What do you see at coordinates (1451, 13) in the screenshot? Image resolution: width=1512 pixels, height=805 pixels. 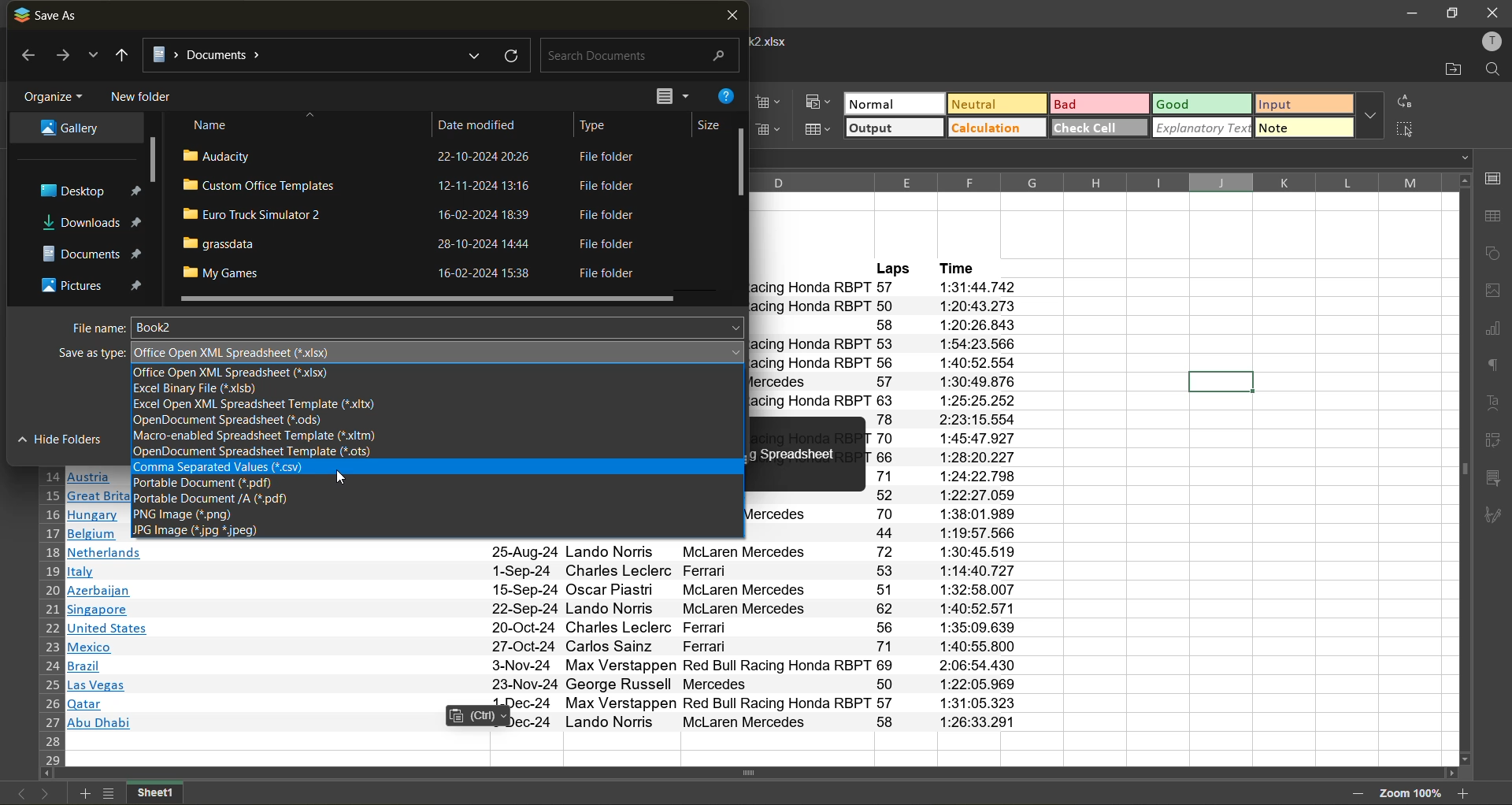 I see `restore down` at bounding box center [1451, 13].